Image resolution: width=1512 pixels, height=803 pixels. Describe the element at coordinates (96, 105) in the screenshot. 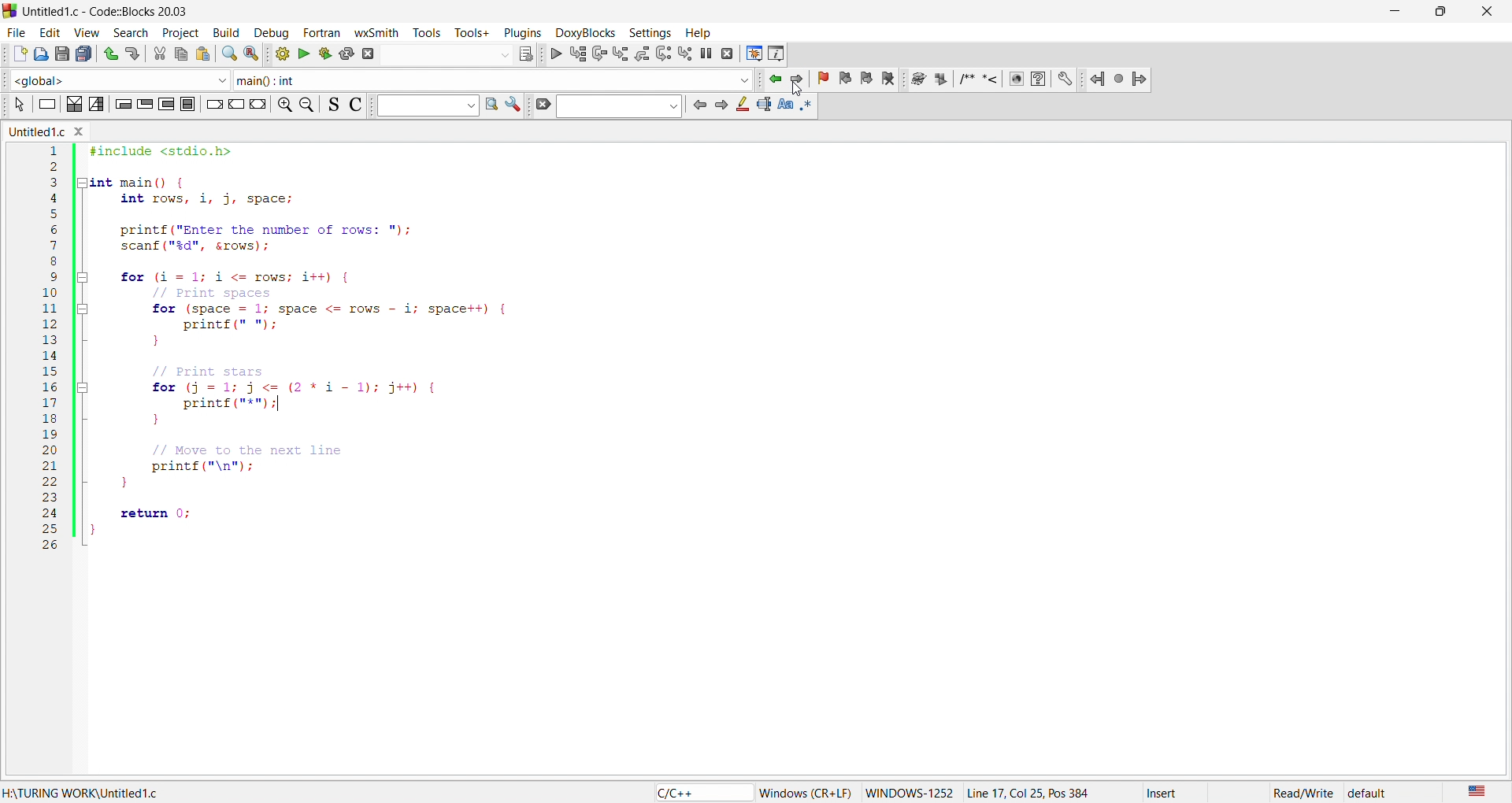

I see `icon` at that location.